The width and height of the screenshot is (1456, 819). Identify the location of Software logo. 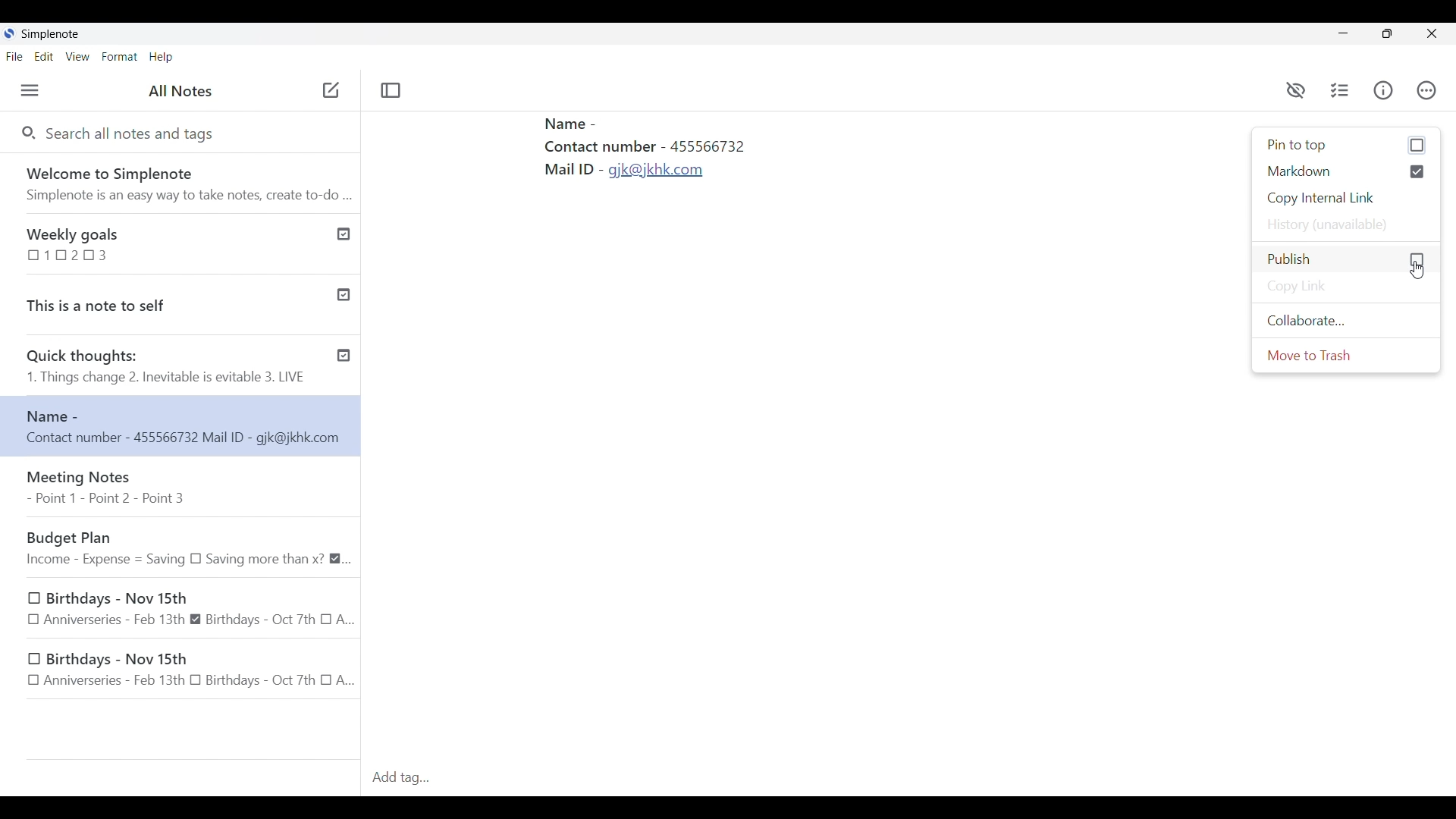
(9, 33).